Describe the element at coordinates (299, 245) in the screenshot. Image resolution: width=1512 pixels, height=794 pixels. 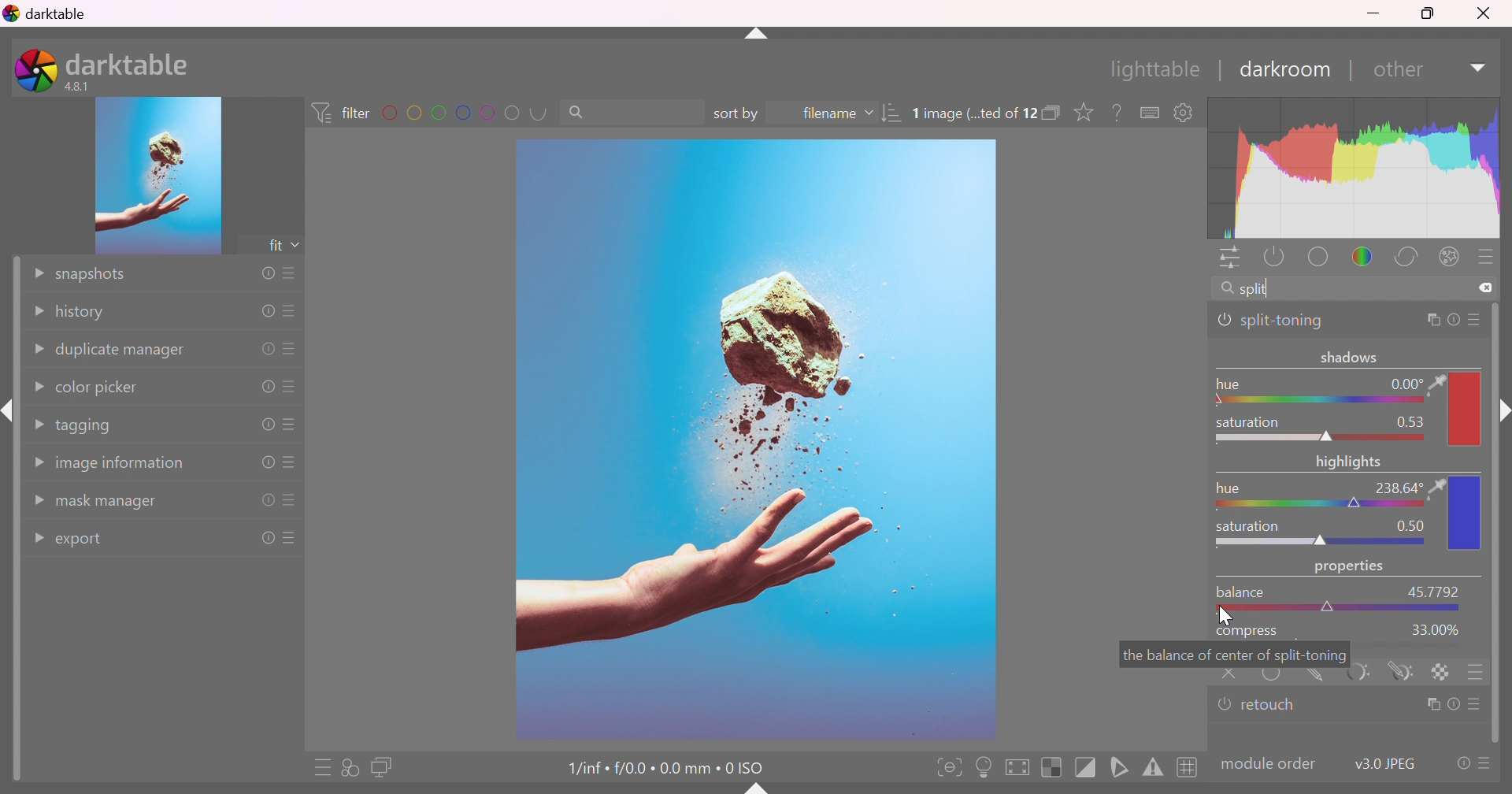
I see `drop down` at that location.